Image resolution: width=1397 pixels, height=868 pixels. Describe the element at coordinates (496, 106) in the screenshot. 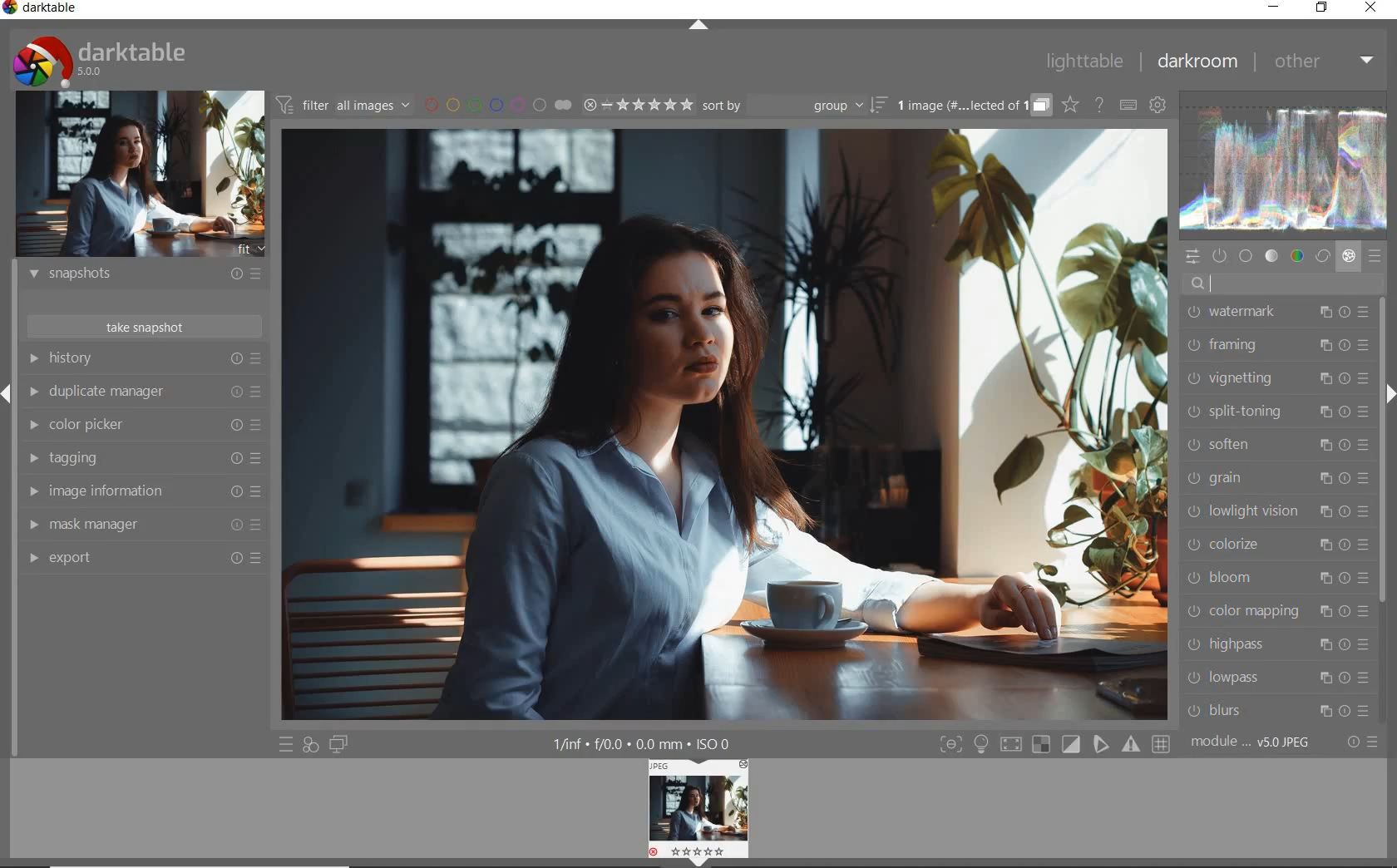

I see `filter images by color labels` at that location.